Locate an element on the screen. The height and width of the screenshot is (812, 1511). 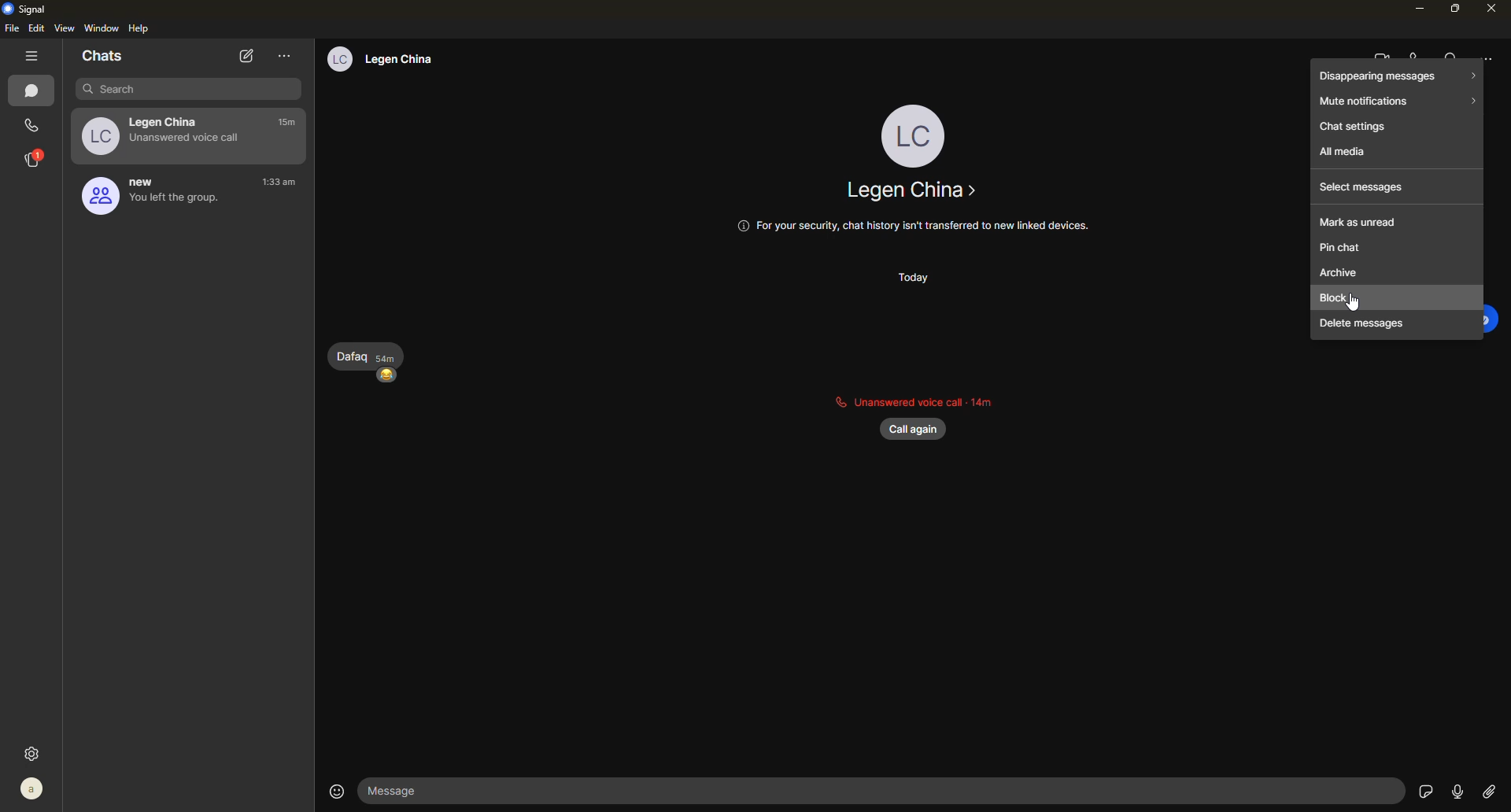
new chat is located at coordinates (245, 57).